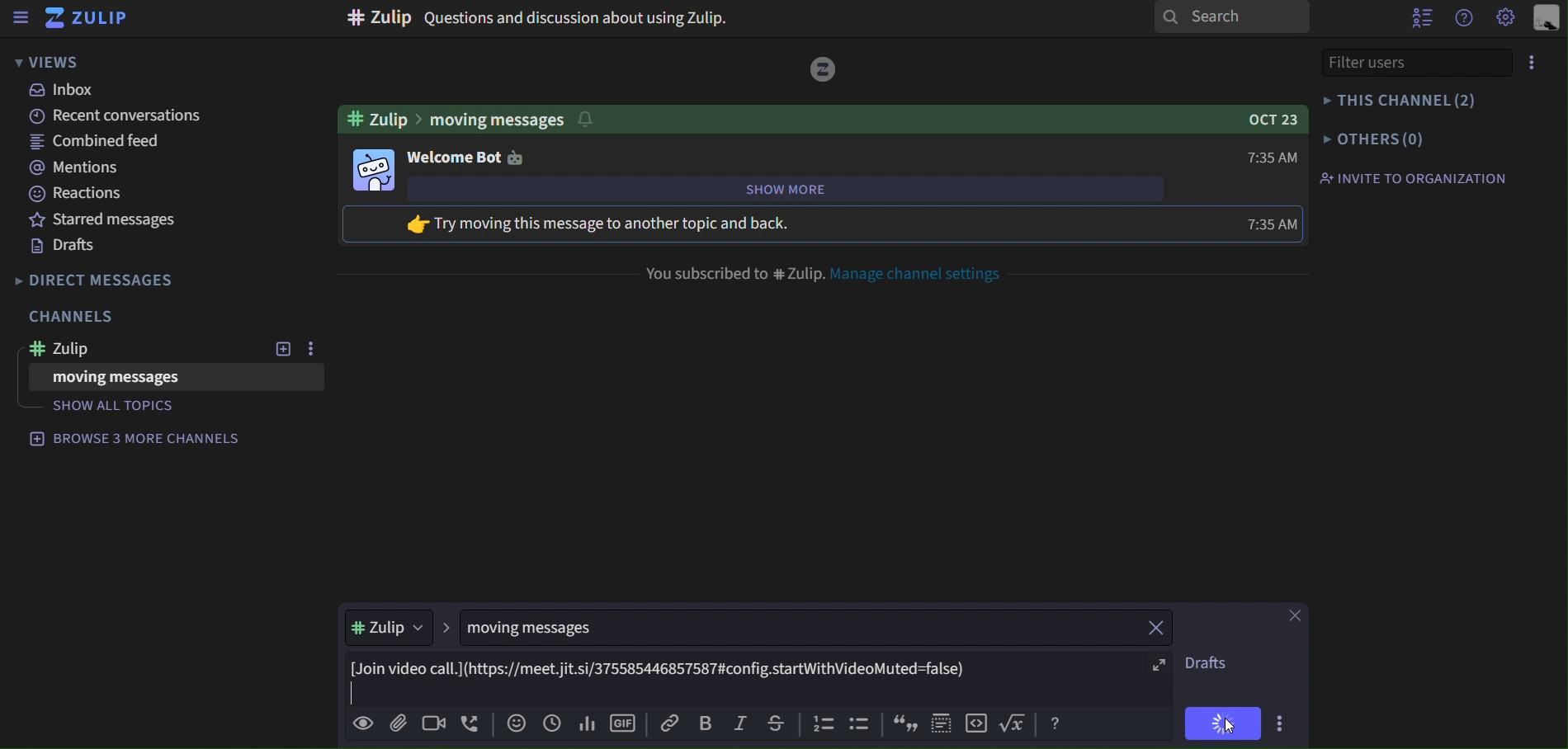  What do you see at coordinates (308, 350) in the screenshot?
I see `option` at bounding box center [308, 350].